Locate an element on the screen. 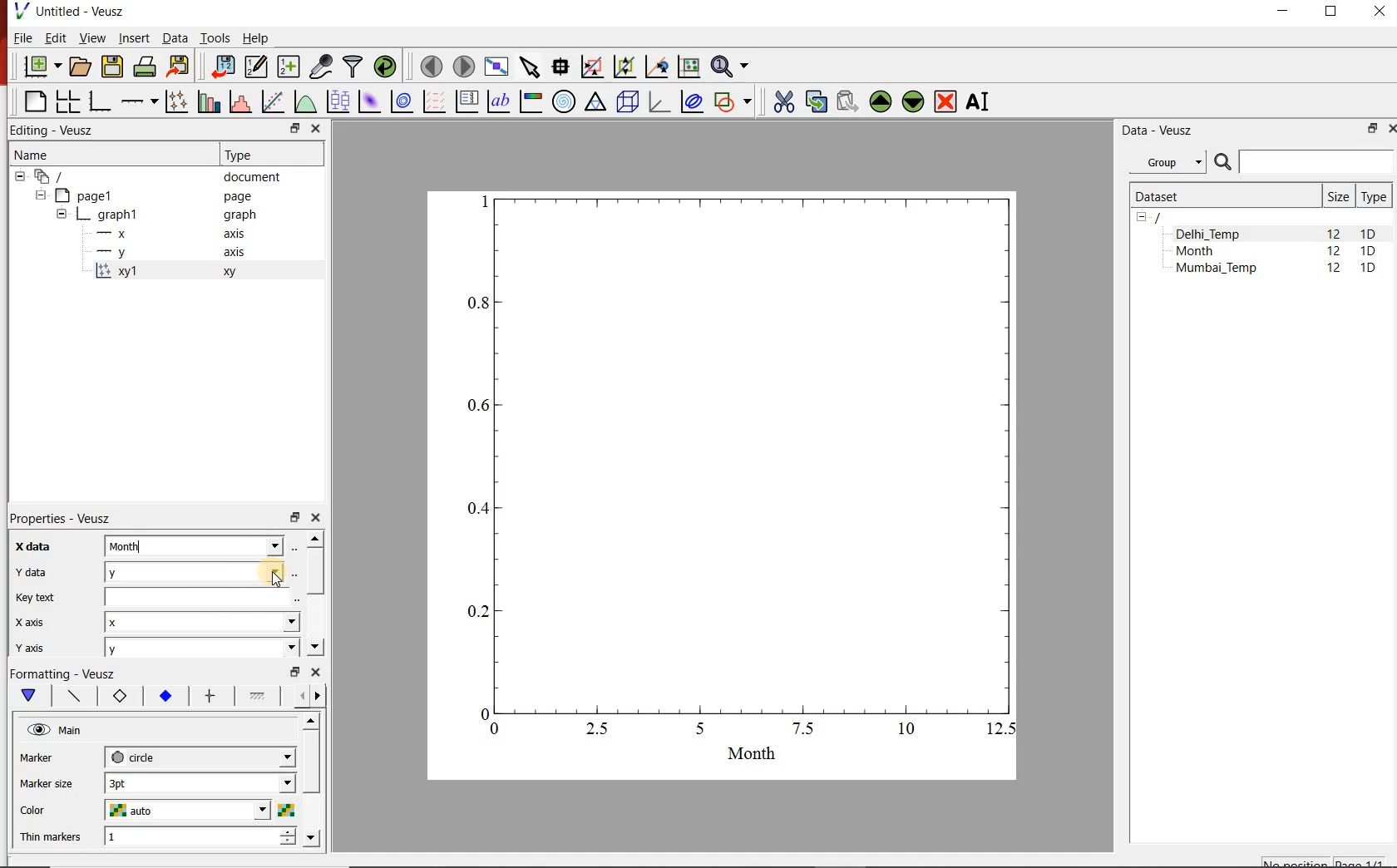 This screenshot has height=868, width=1397. plot a 2d dataset as an image is located at coordinates (371, 101).